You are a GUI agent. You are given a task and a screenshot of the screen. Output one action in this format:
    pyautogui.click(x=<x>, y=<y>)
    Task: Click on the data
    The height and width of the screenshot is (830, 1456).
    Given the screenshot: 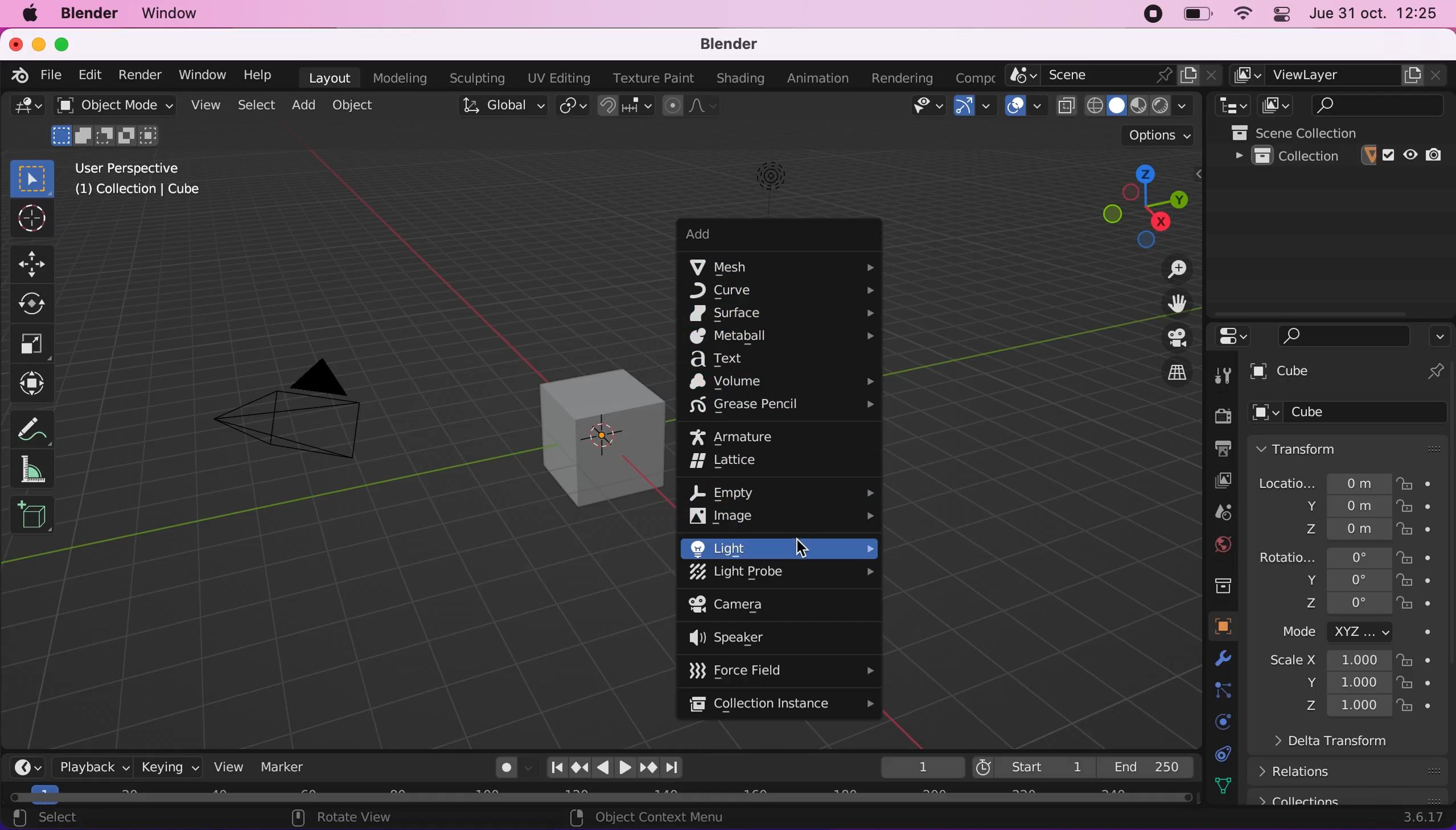 What is the action you would take?
    pyautogui.click(x=1218, y=784)
    